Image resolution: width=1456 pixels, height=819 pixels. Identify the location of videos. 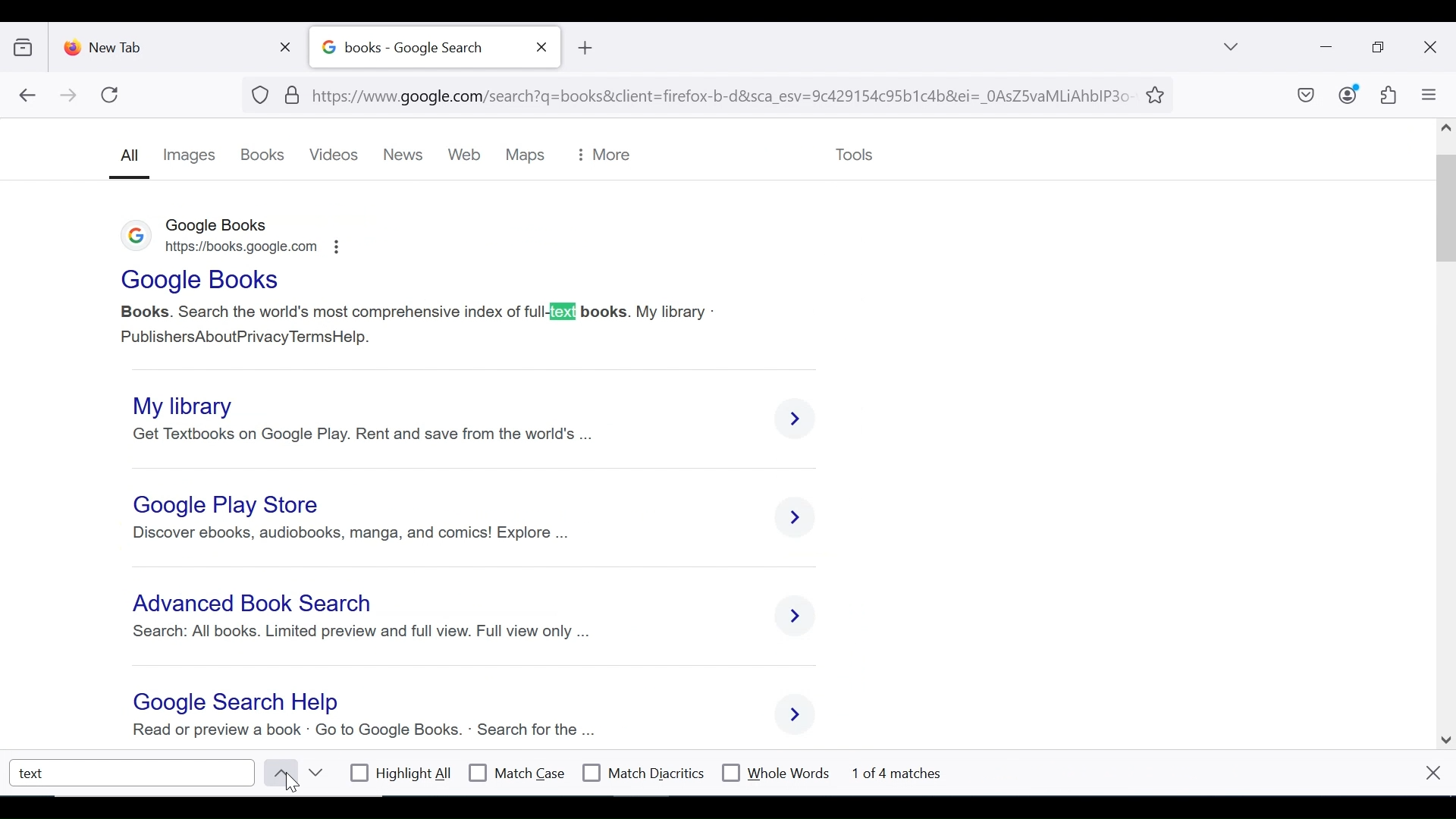
(336, 155).